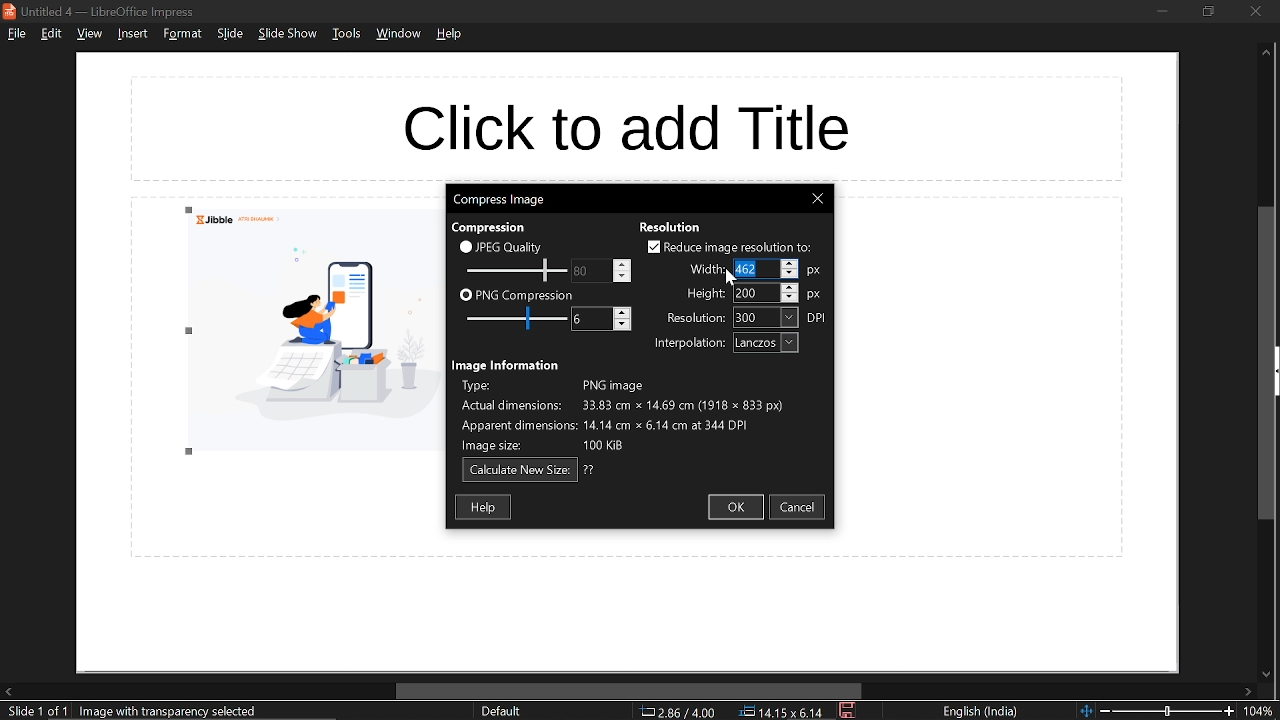 Image resolution: width=1280 pixels, height=720 pixels. Describe the element at coordinates (487, 228) in the screenshot. I see `compression` at that location.